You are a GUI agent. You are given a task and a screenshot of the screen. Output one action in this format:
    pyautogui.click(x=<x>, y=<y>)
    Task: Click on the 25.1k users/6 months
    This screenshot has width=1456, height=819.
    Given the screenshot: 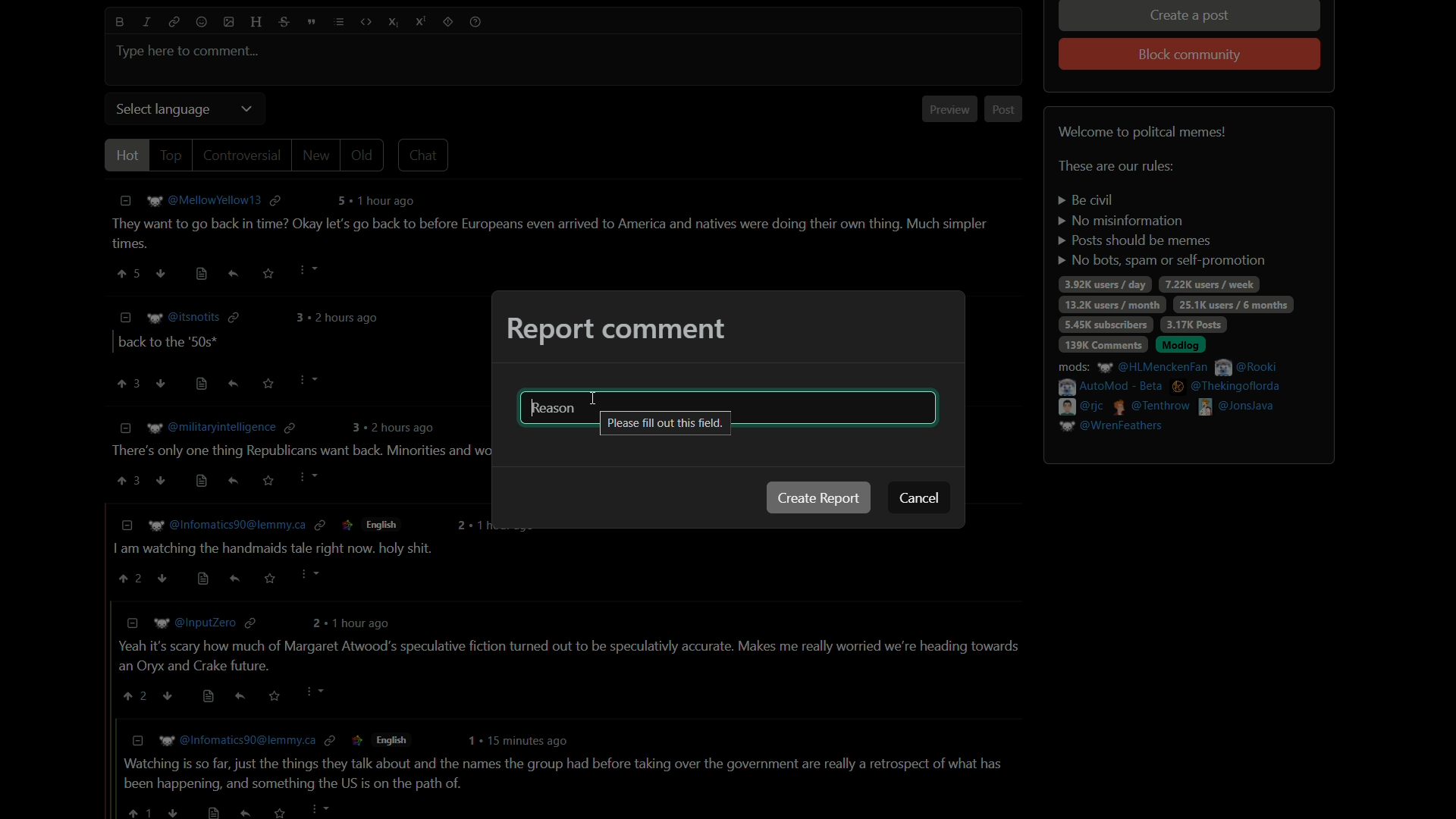 What is the action you would take?
    pyautogui.click(x=1234, y=306)
    